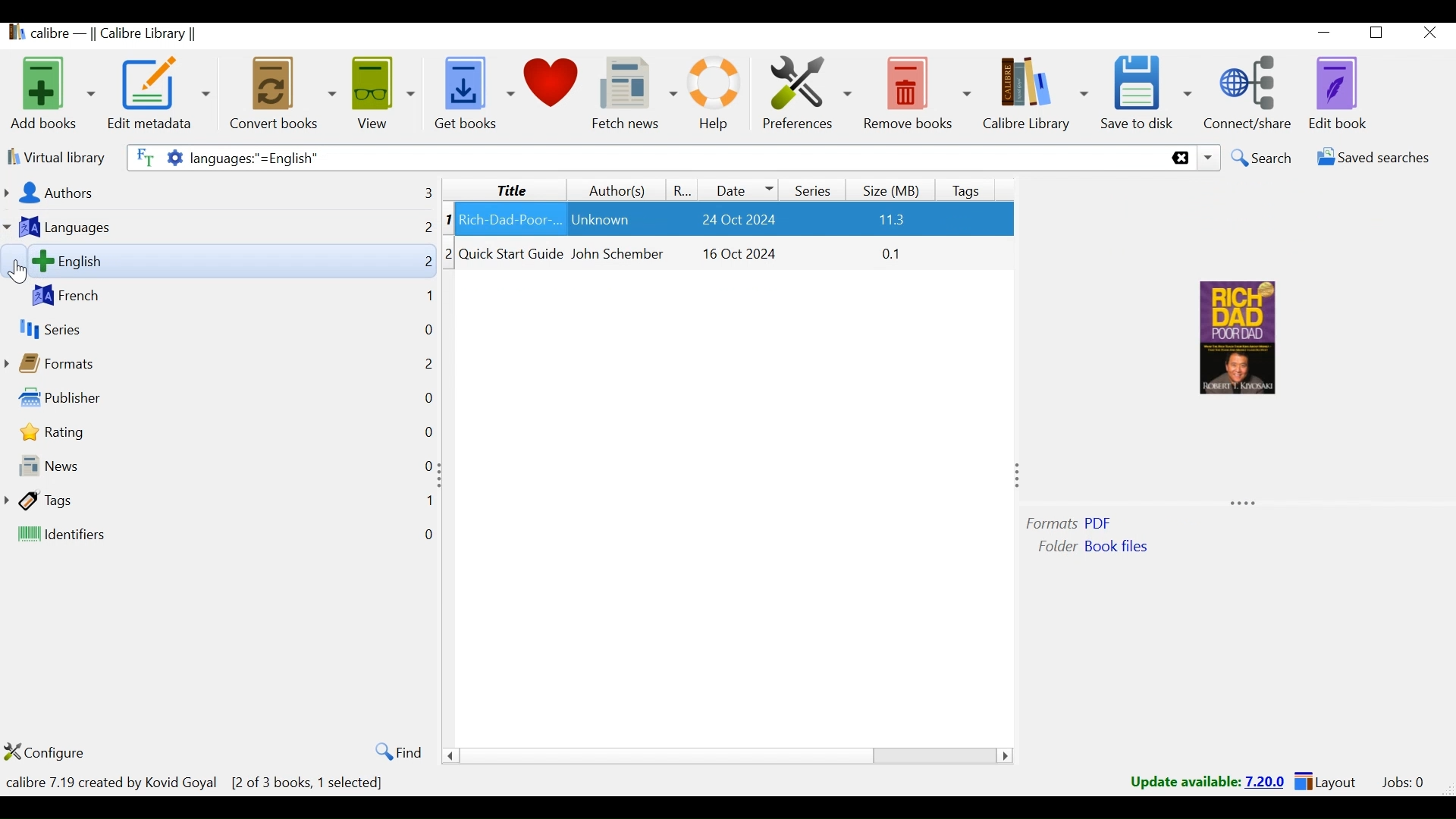  What do you see at coordinates (970, 188) in the screenshot?
I see `Tags` at bounding box center [970, 188].